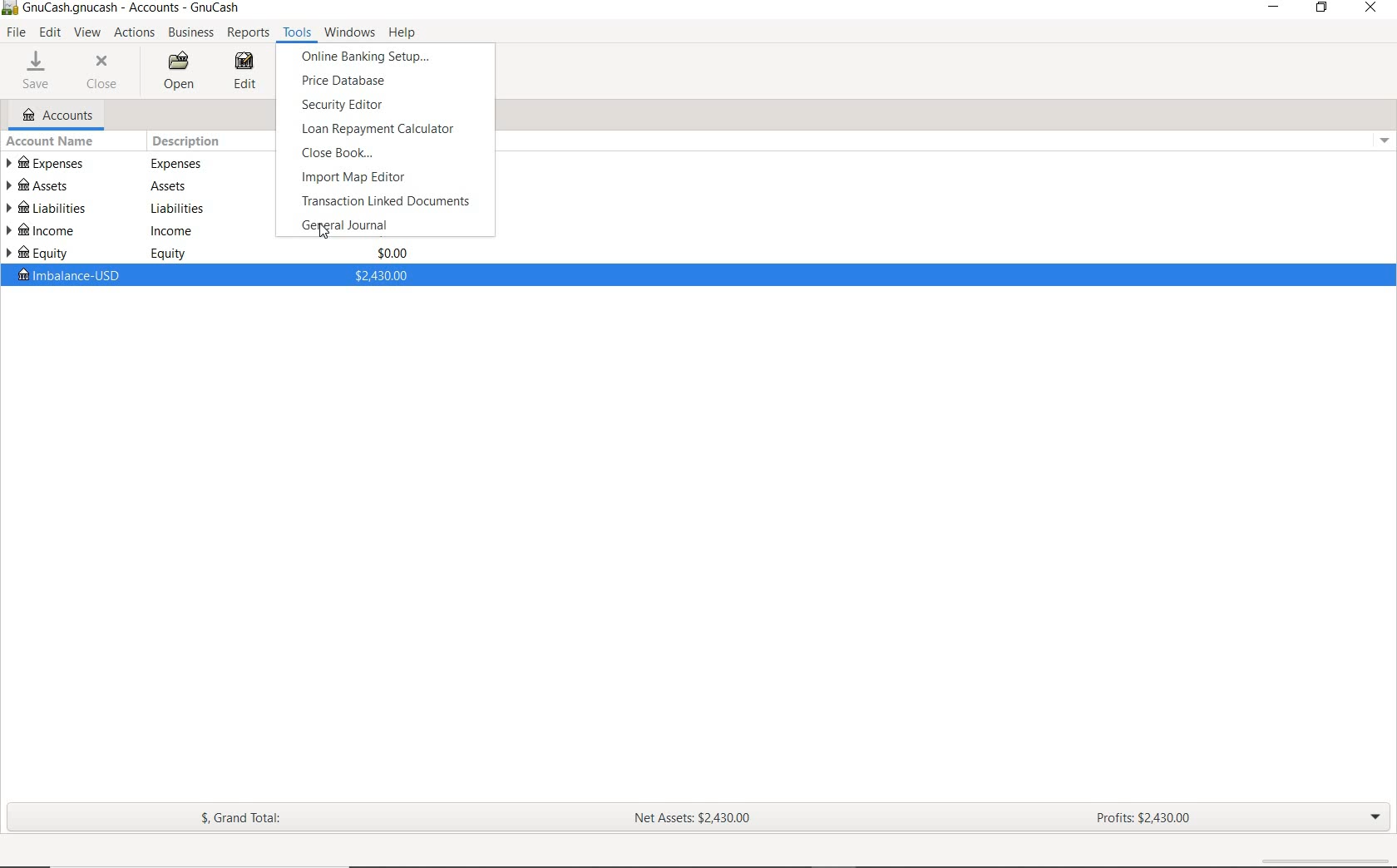  I want to click on IMPORT MAP EDITOR, so click(387, 178).